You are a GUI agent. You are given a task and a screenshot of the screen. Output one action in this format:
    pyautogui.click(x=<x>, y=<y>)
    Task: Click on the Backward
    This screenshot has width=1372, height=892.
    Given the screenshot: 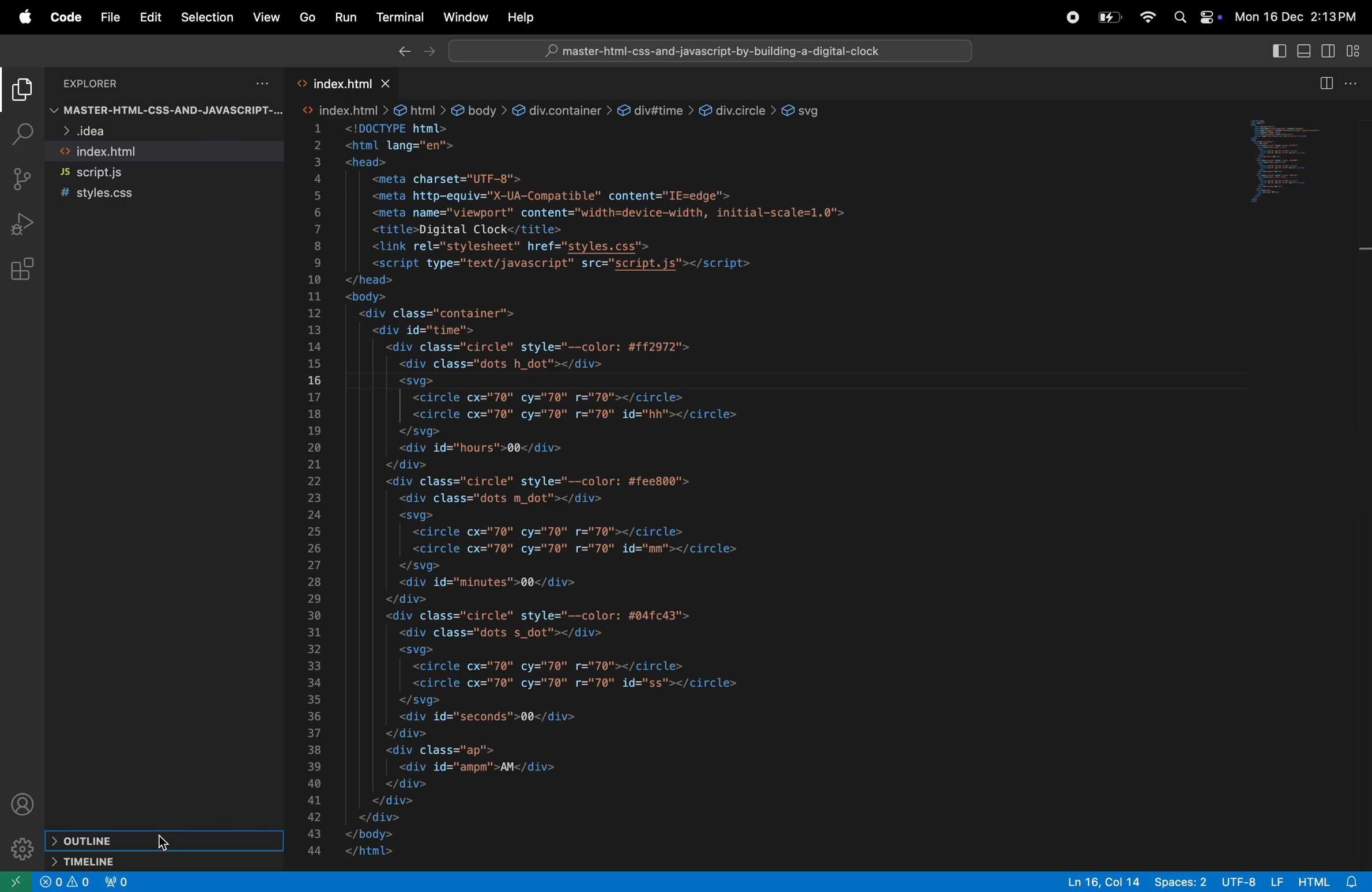 What is the action you would take?
    pyautogui.click(x=402, y=51)
    